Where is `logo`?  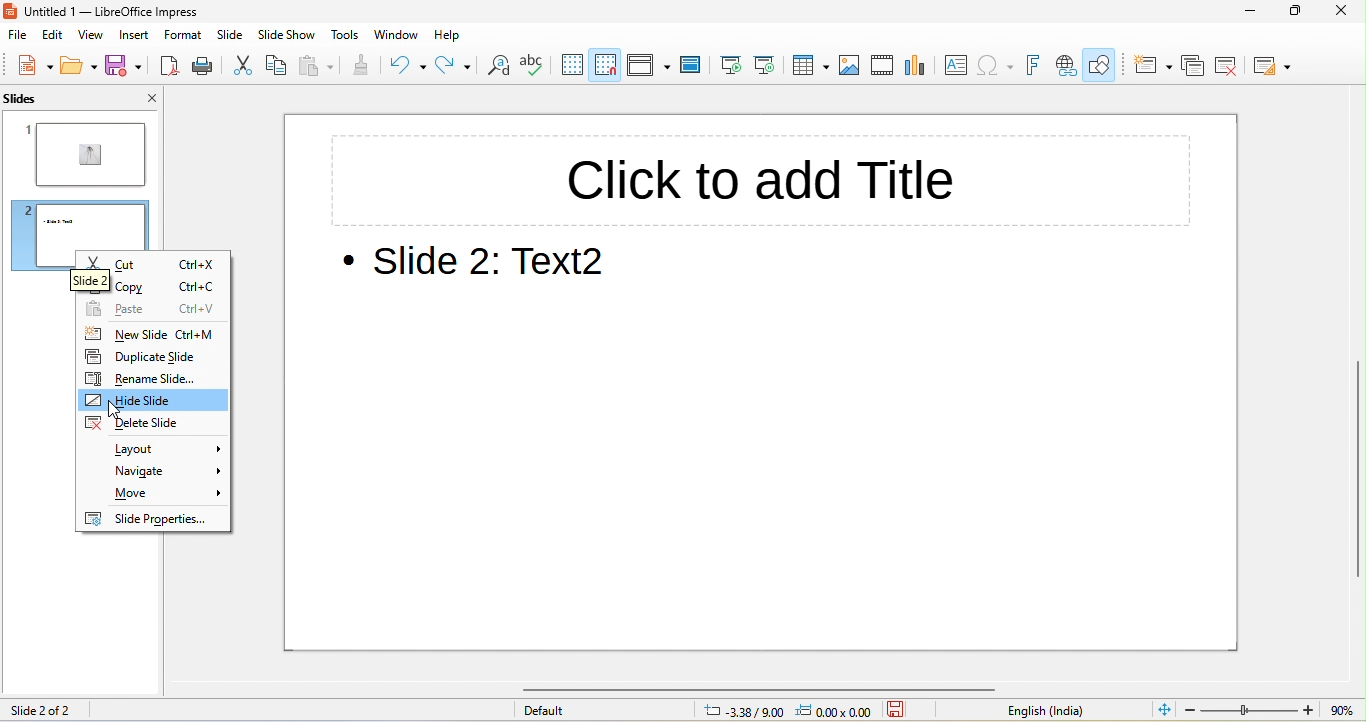 logo is located at coordinates (13, 12).